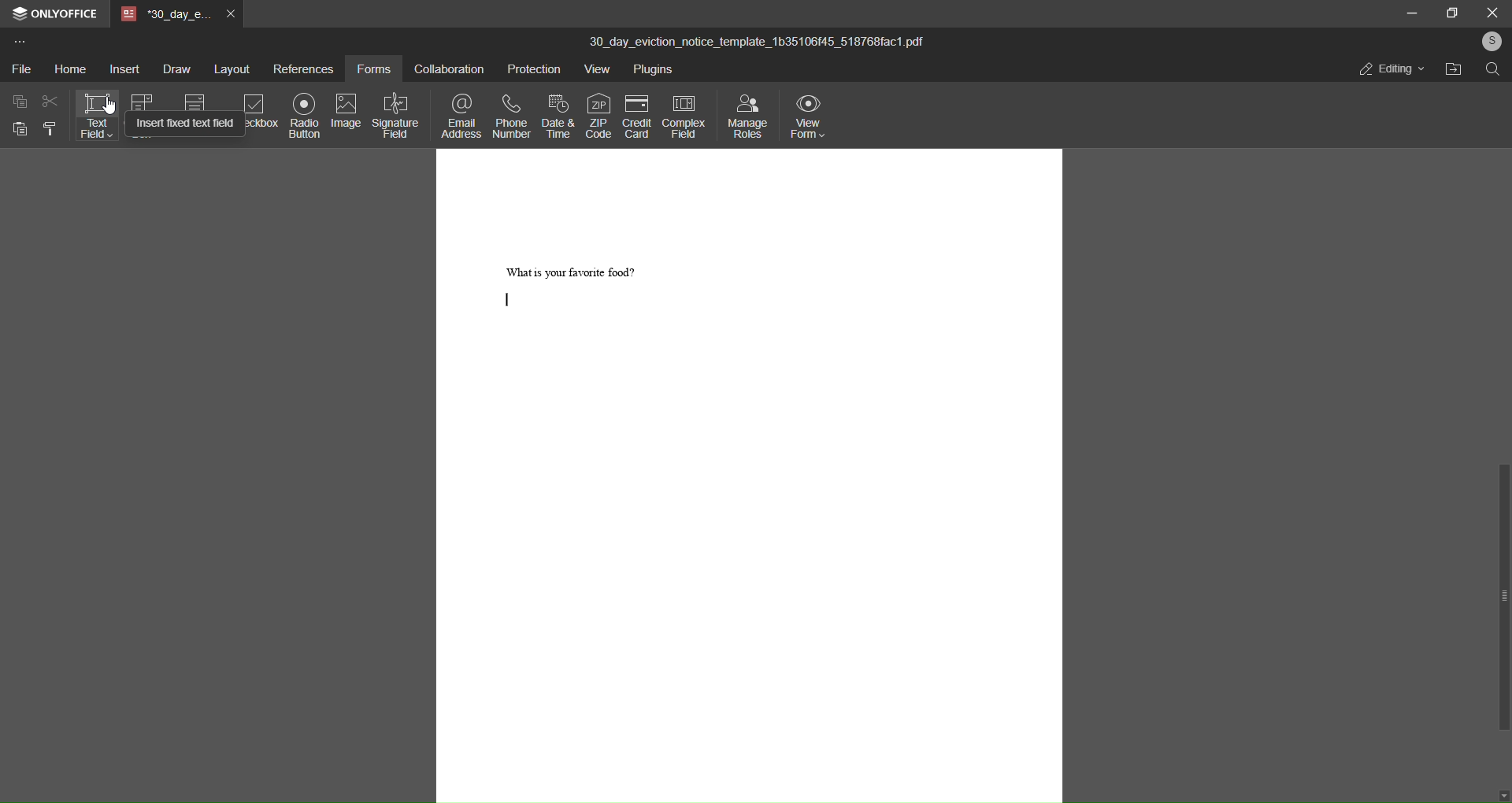 The image size is (1512, 803). What do you see at coordinates (461, 116) in the screenshot?
I see `email address` at bounding box center [461, 116].